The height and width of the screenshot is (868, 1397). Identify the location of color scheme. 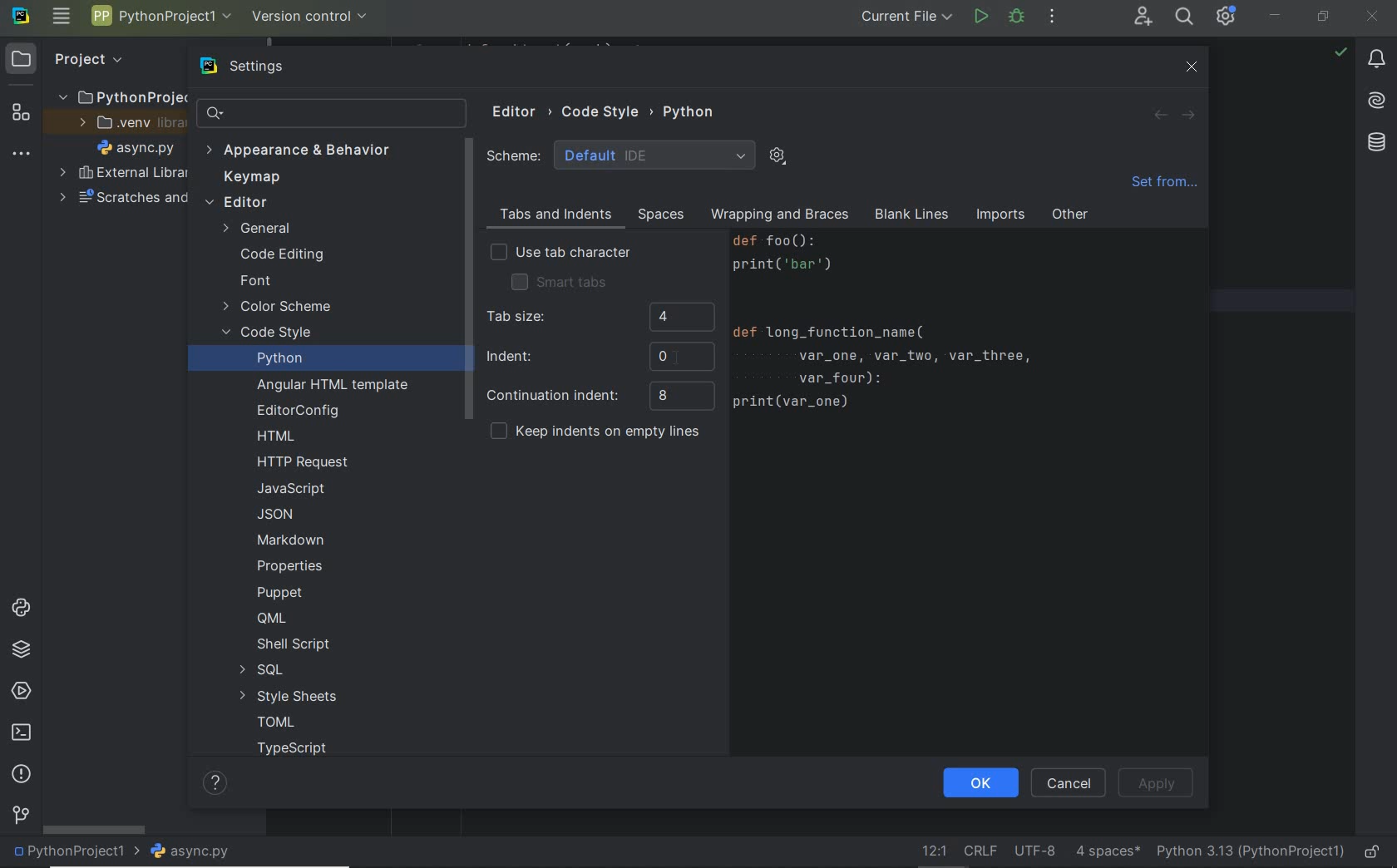
(278, 308).